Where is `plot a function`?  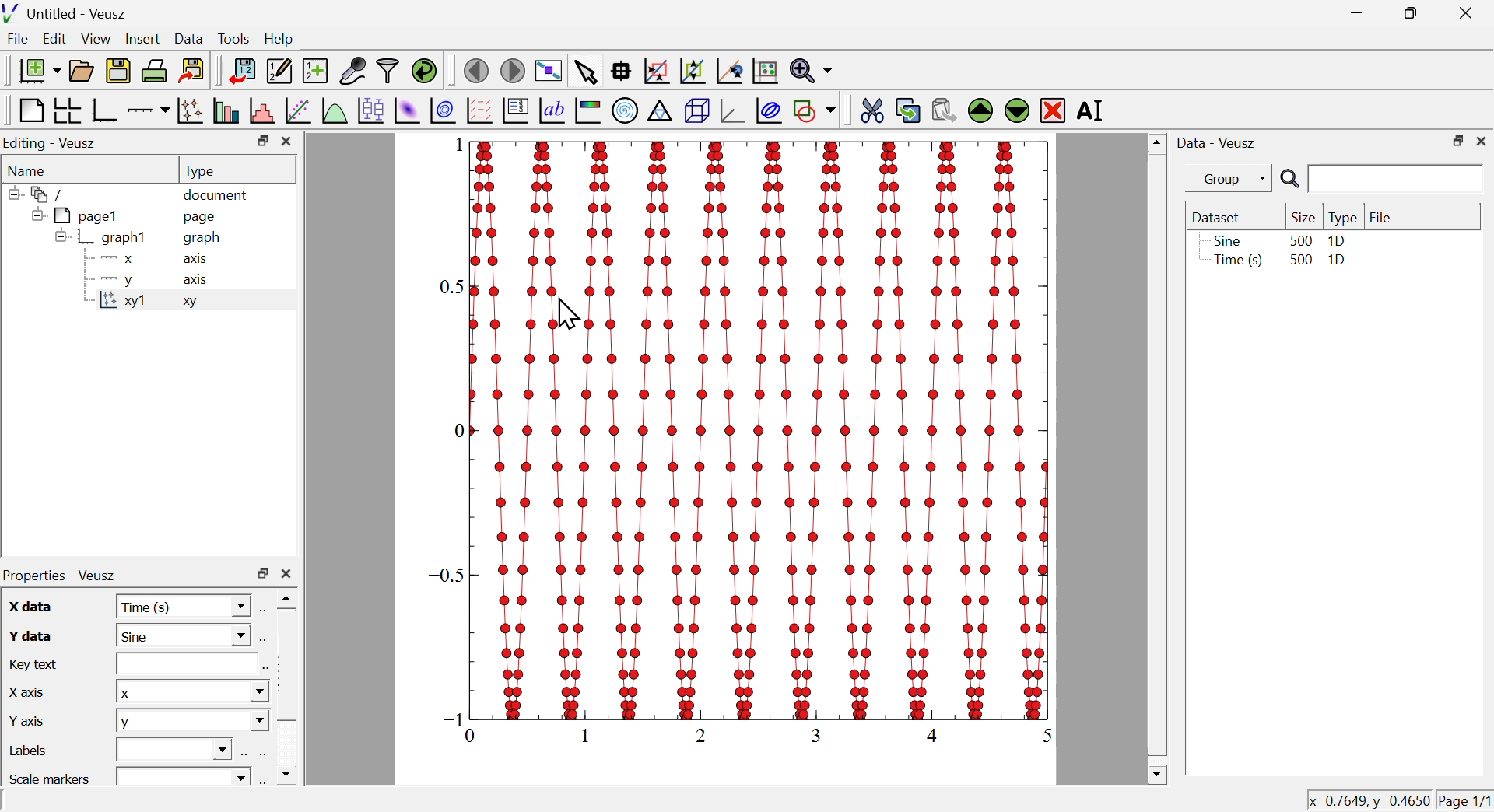 plot a function is located at coordinates (334, 110).